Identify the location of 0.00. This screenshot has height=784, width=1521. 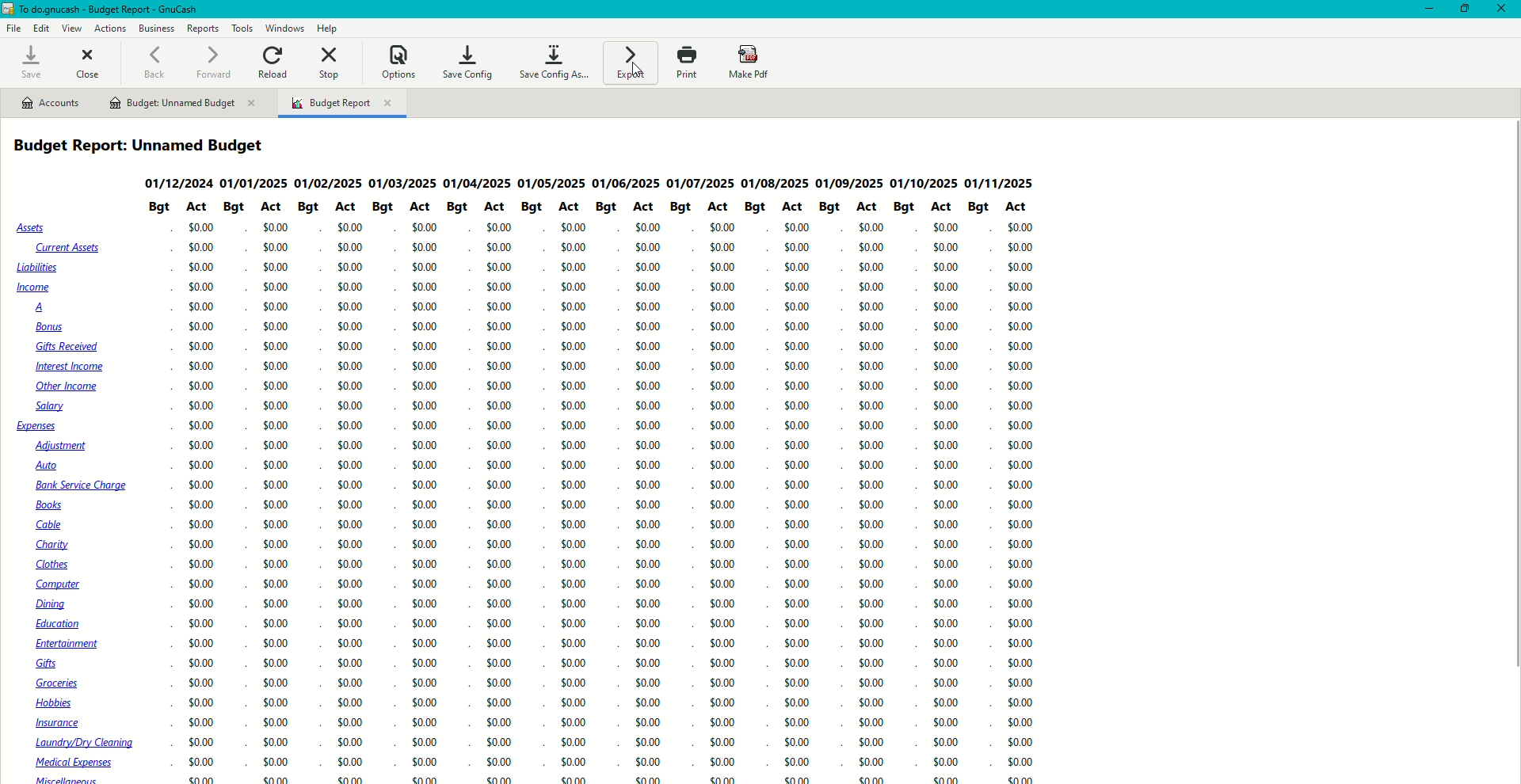
(277, 306).